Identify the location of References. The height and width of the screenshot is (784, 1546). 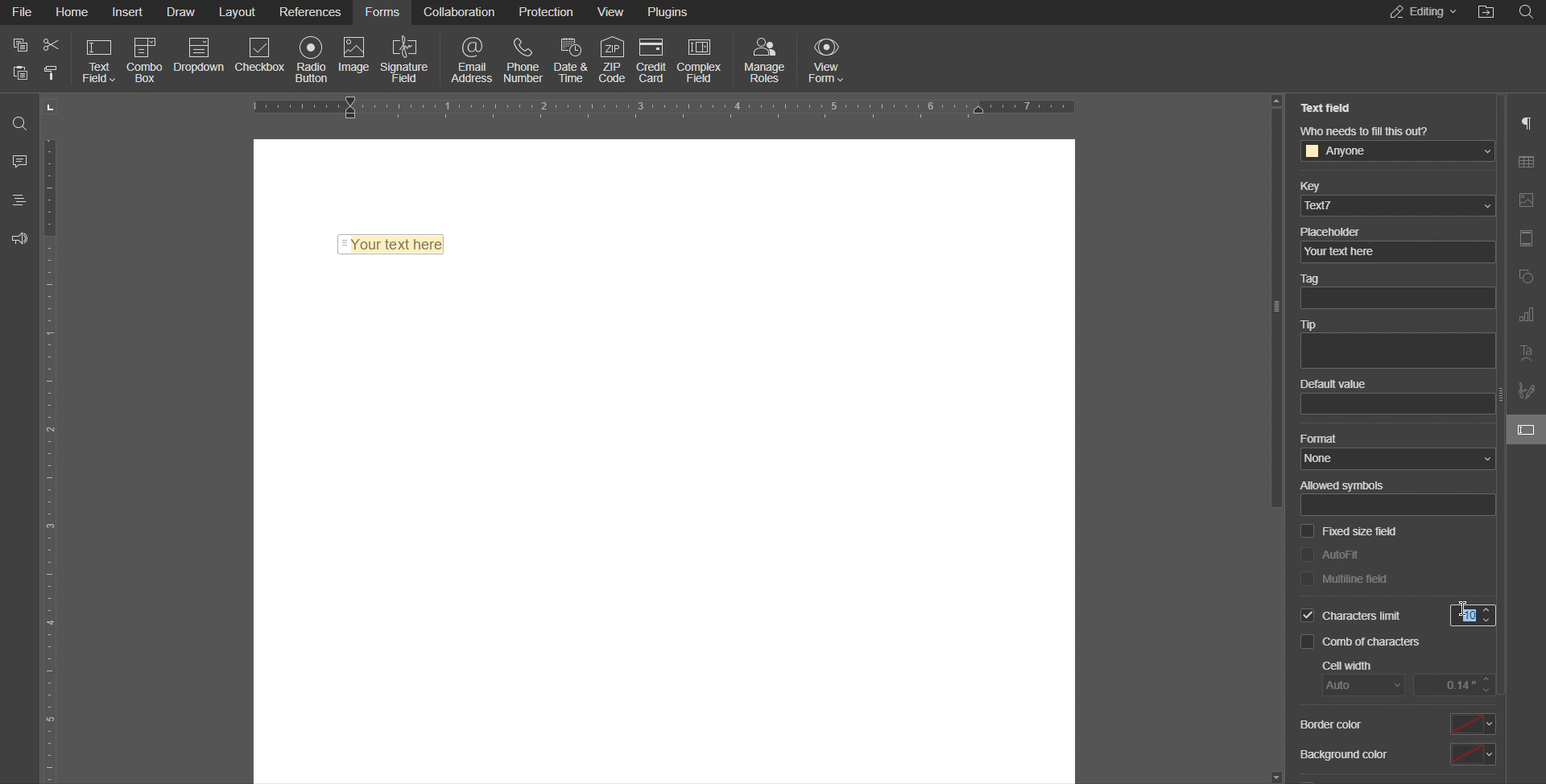
(312, 12).